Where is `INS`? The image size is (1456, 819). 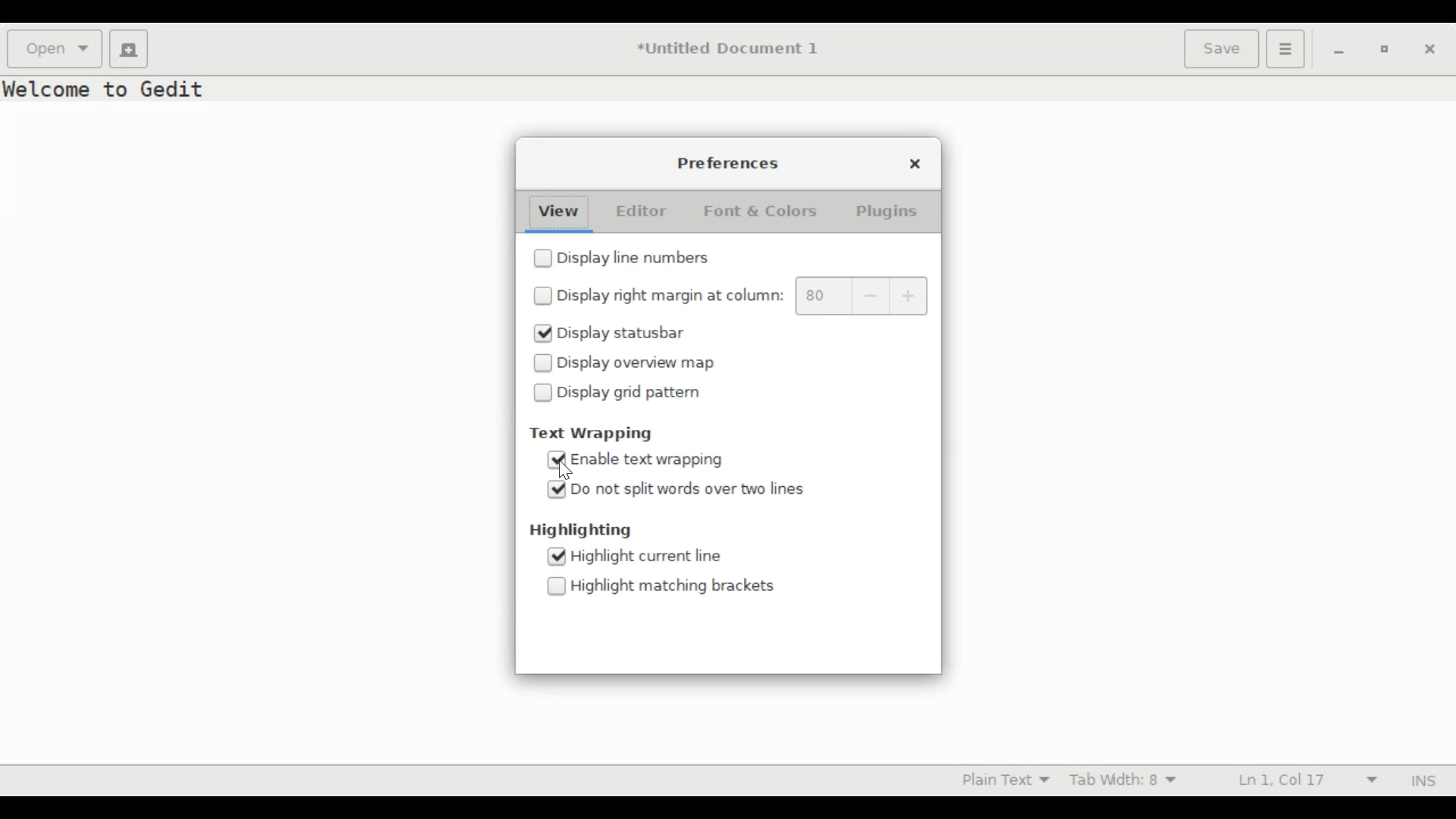 INS is located at coordinates (1421, 780).